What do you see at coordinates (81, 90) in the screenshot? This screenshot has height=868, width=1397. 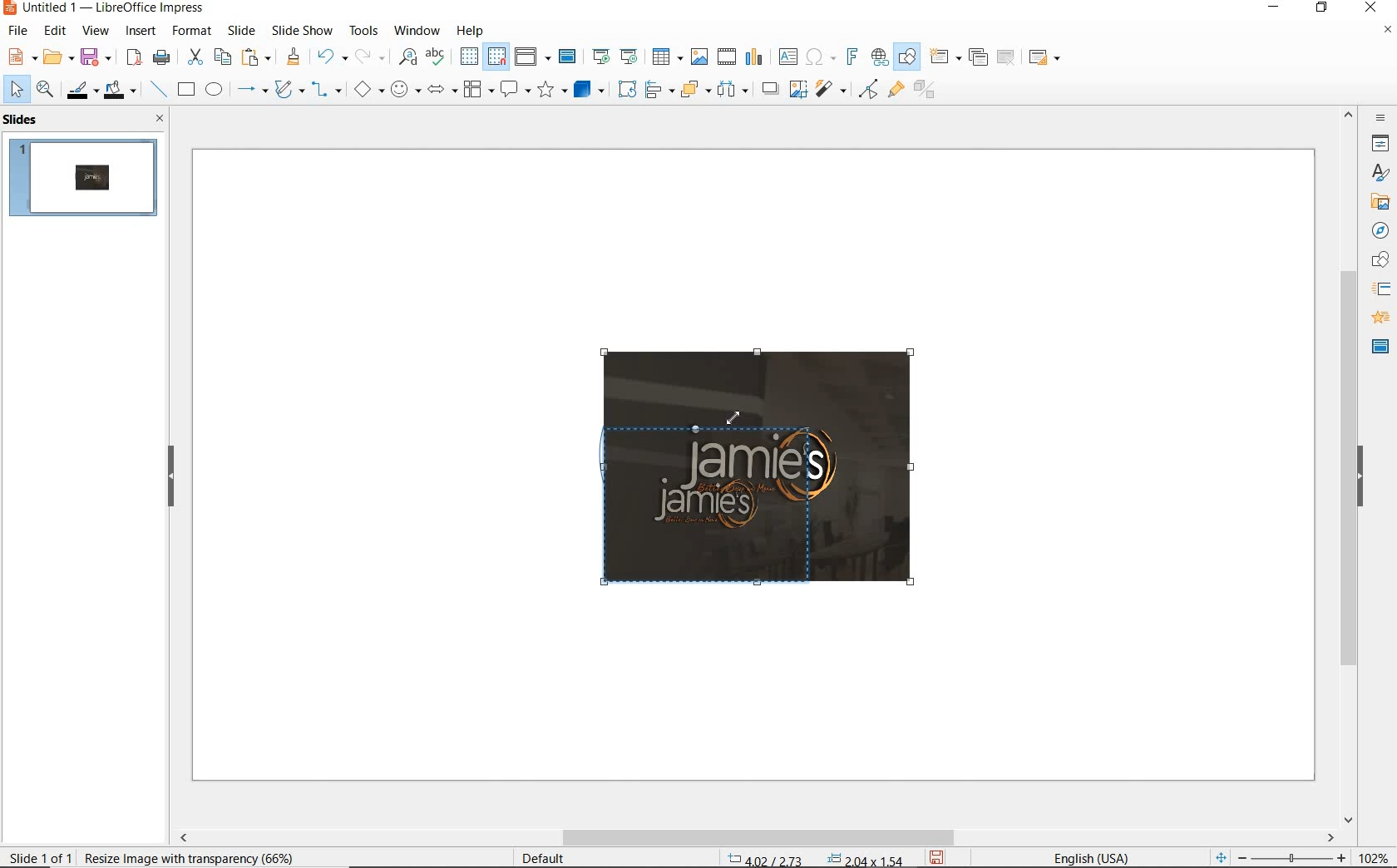 I see `line color` at bounding box center [81, 90].